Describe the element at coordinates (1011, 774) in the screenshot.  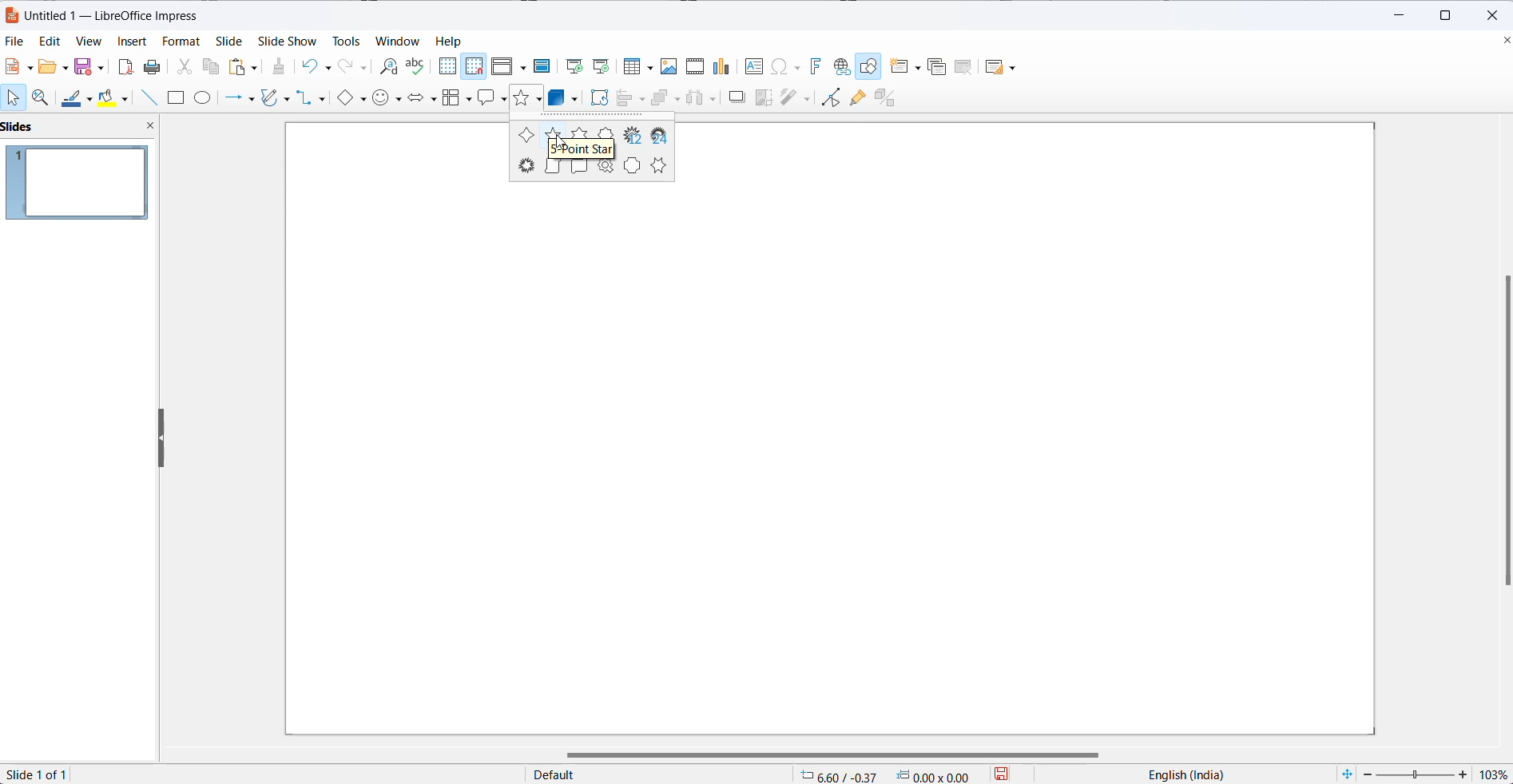
I see `save button` at that location.